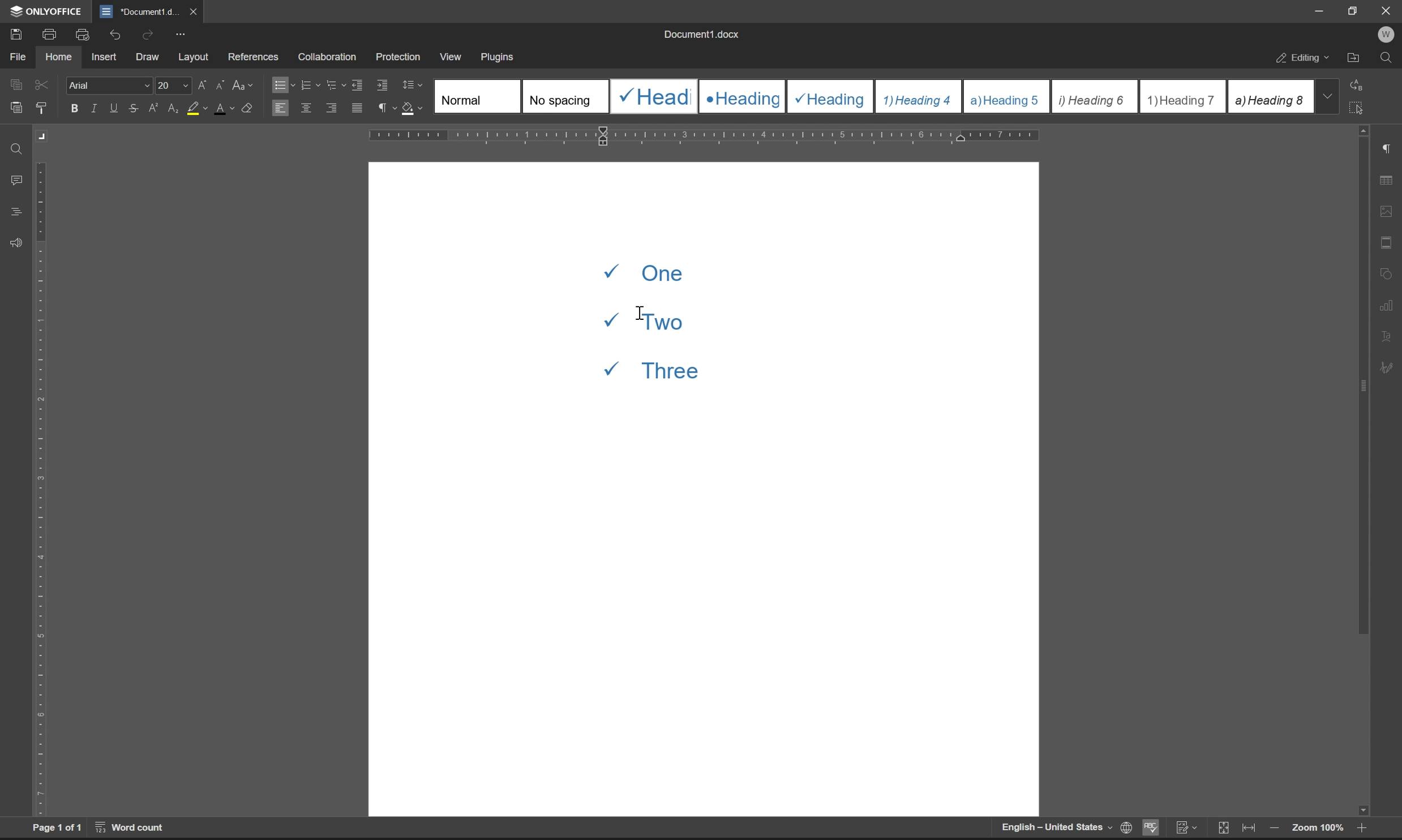 This screenshot has height=840, width=1402. I want to click on W, so click(1388, 35).